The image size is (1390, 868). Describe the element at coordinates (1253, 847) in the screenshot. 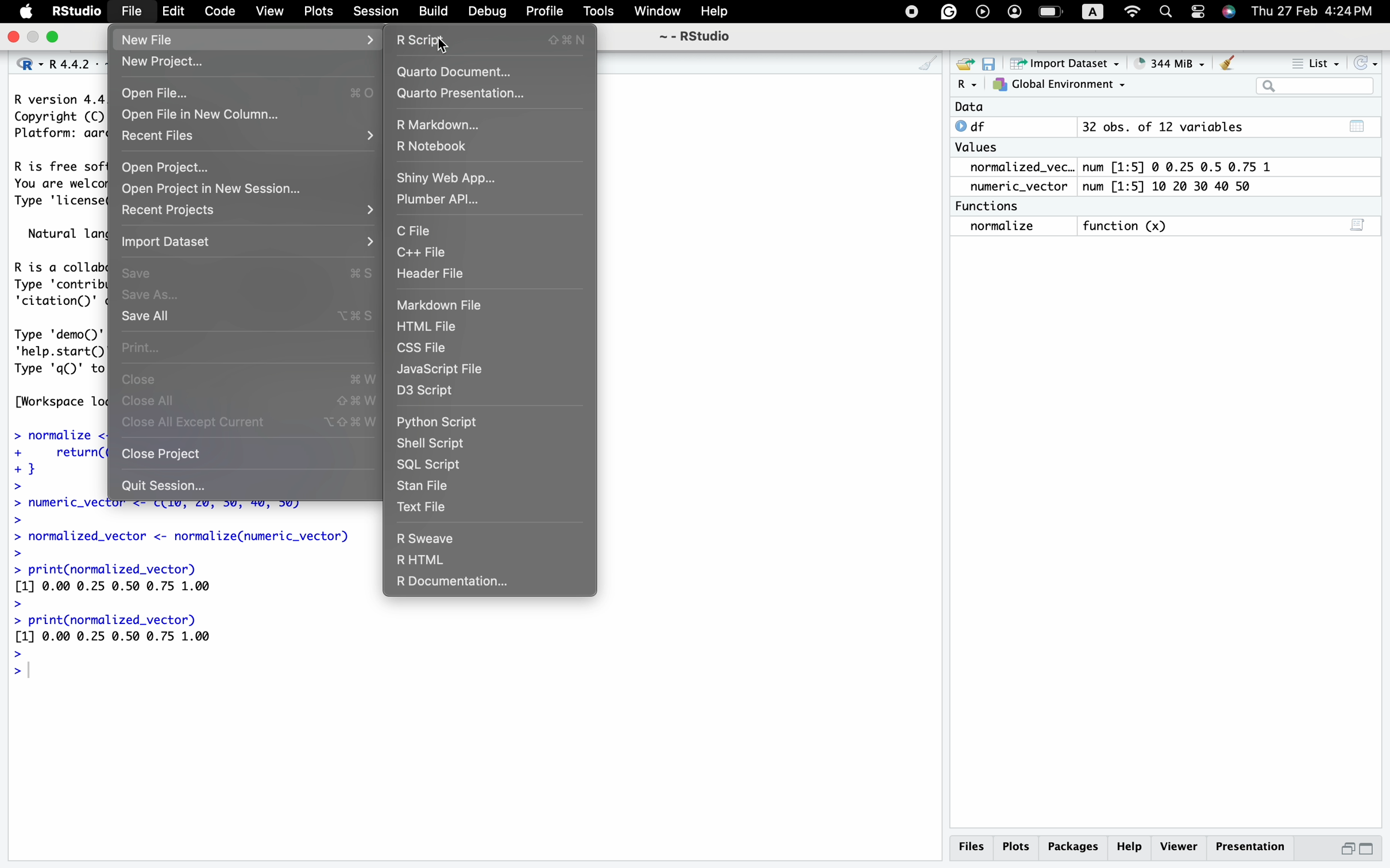

I see `Presentation` at that location.